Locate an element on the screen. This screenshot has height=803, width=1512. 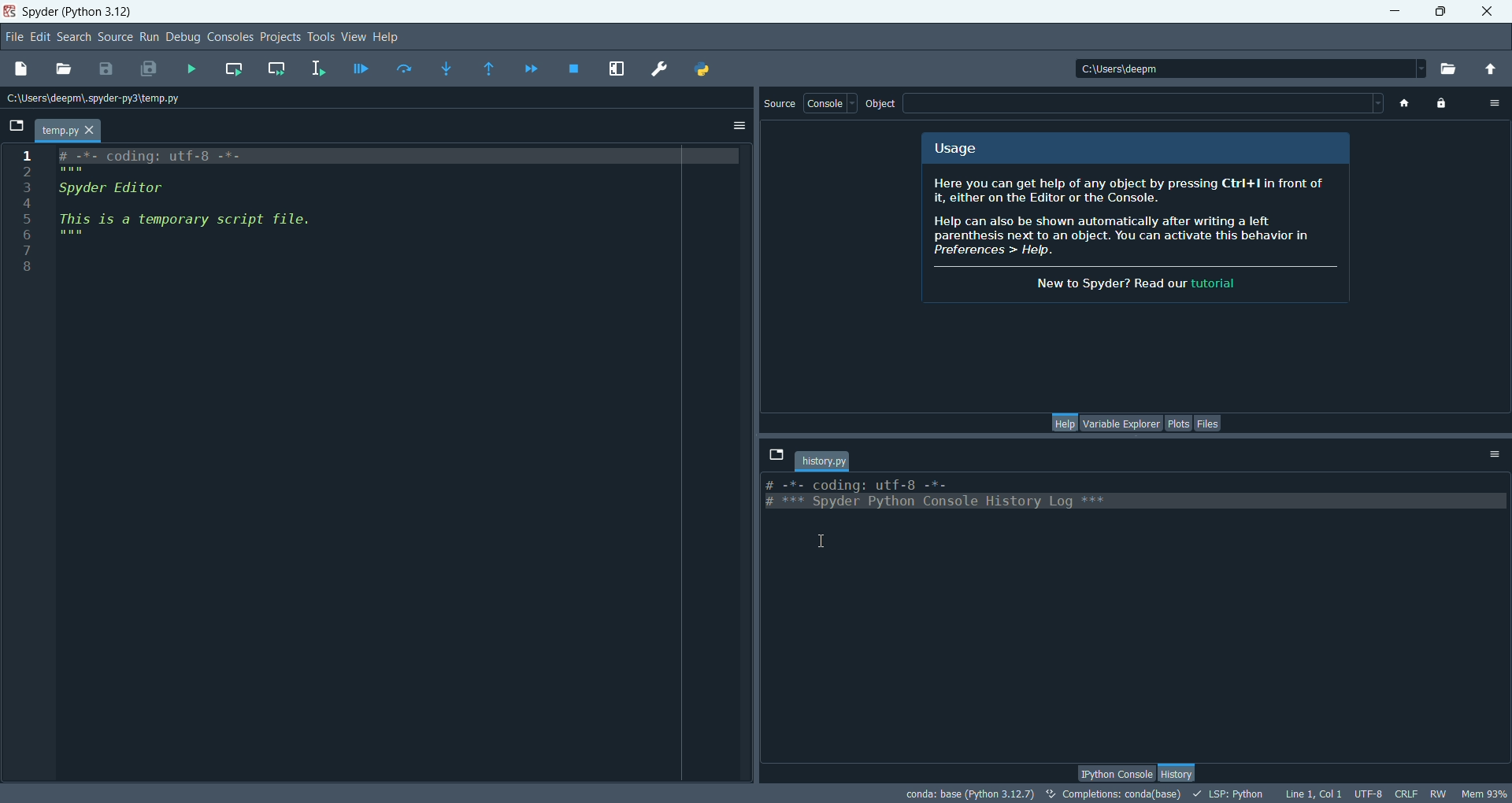
plots is located at coordinates (1178, 424).